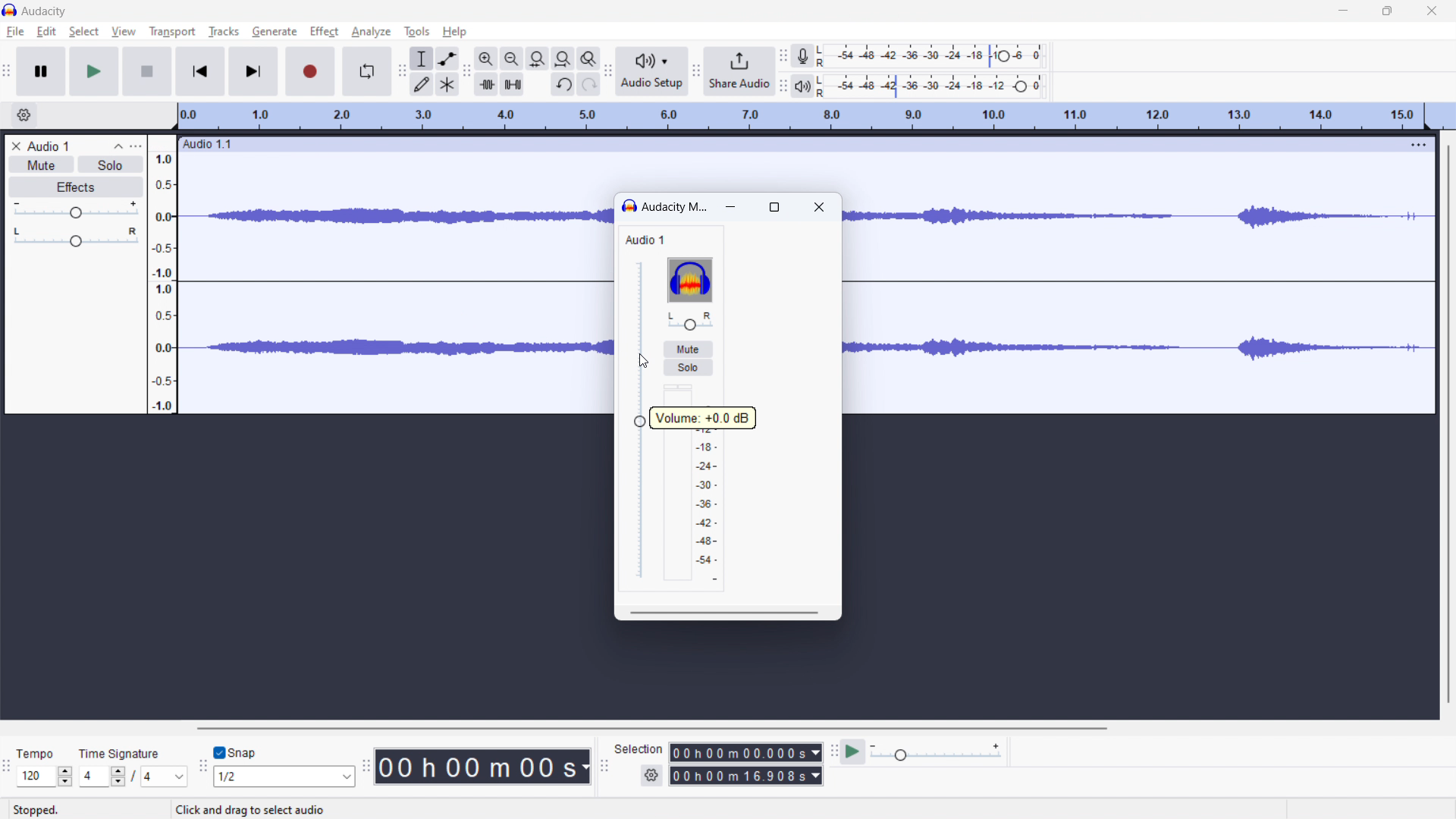  Describe the element at coordinates (77, 187) in the screenshot. I see `effects` at that location.